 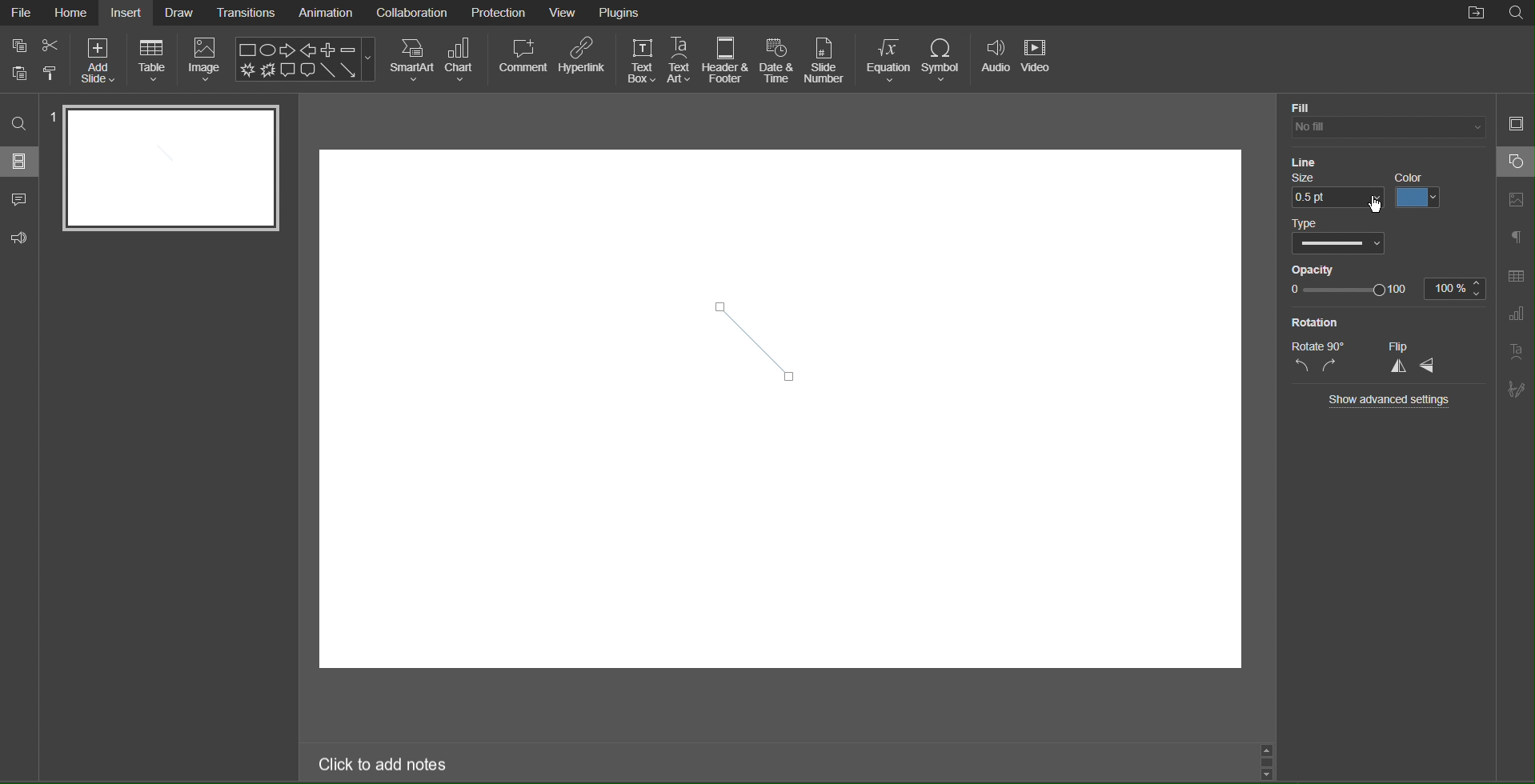 What do you see at coordinates (759, 334) in the screenshot?
I see `Line` at bounding box center [759, 334].